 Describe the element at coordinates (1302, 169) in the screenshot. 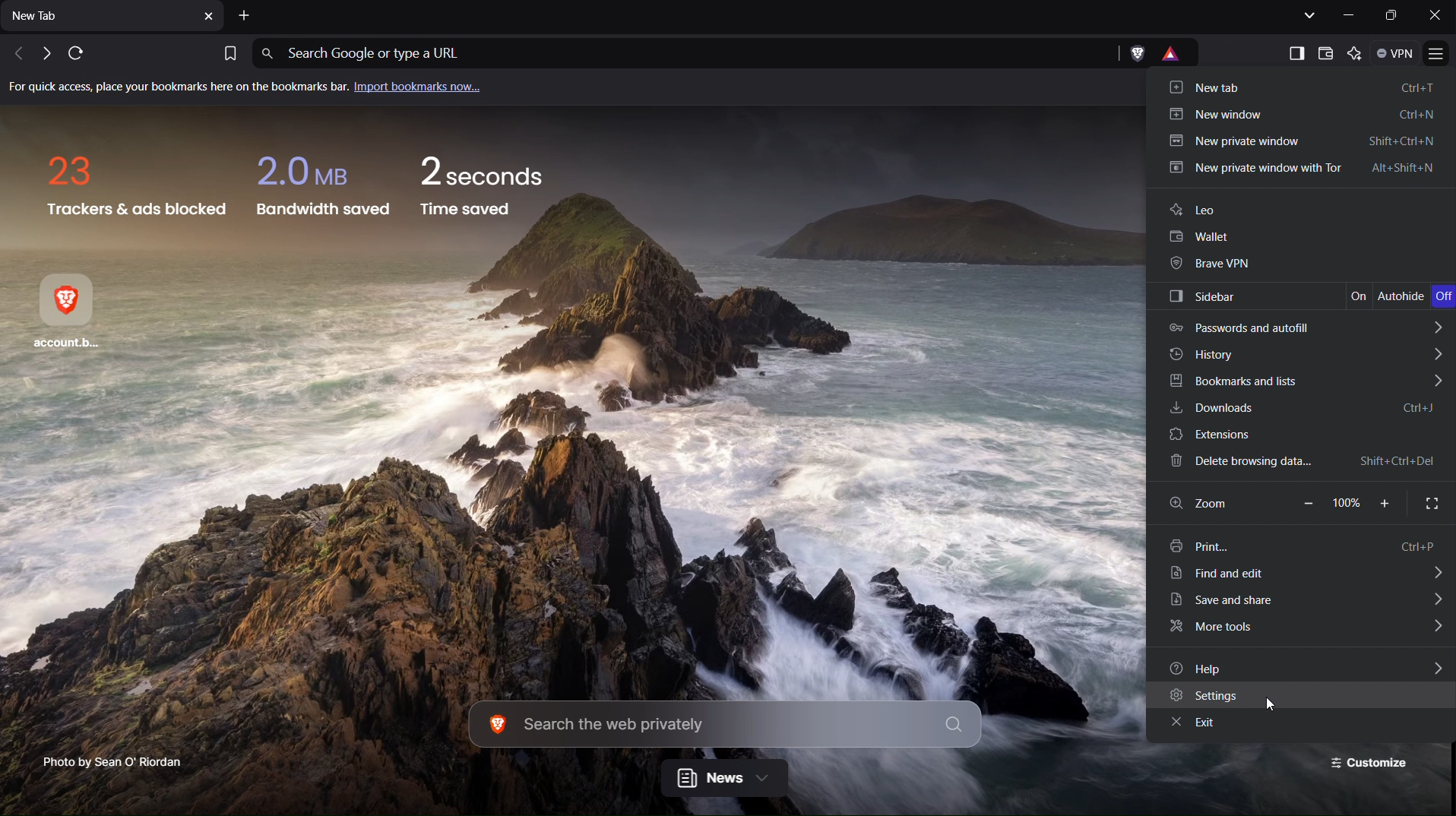

I see `New Private Window With Tor` at that location.